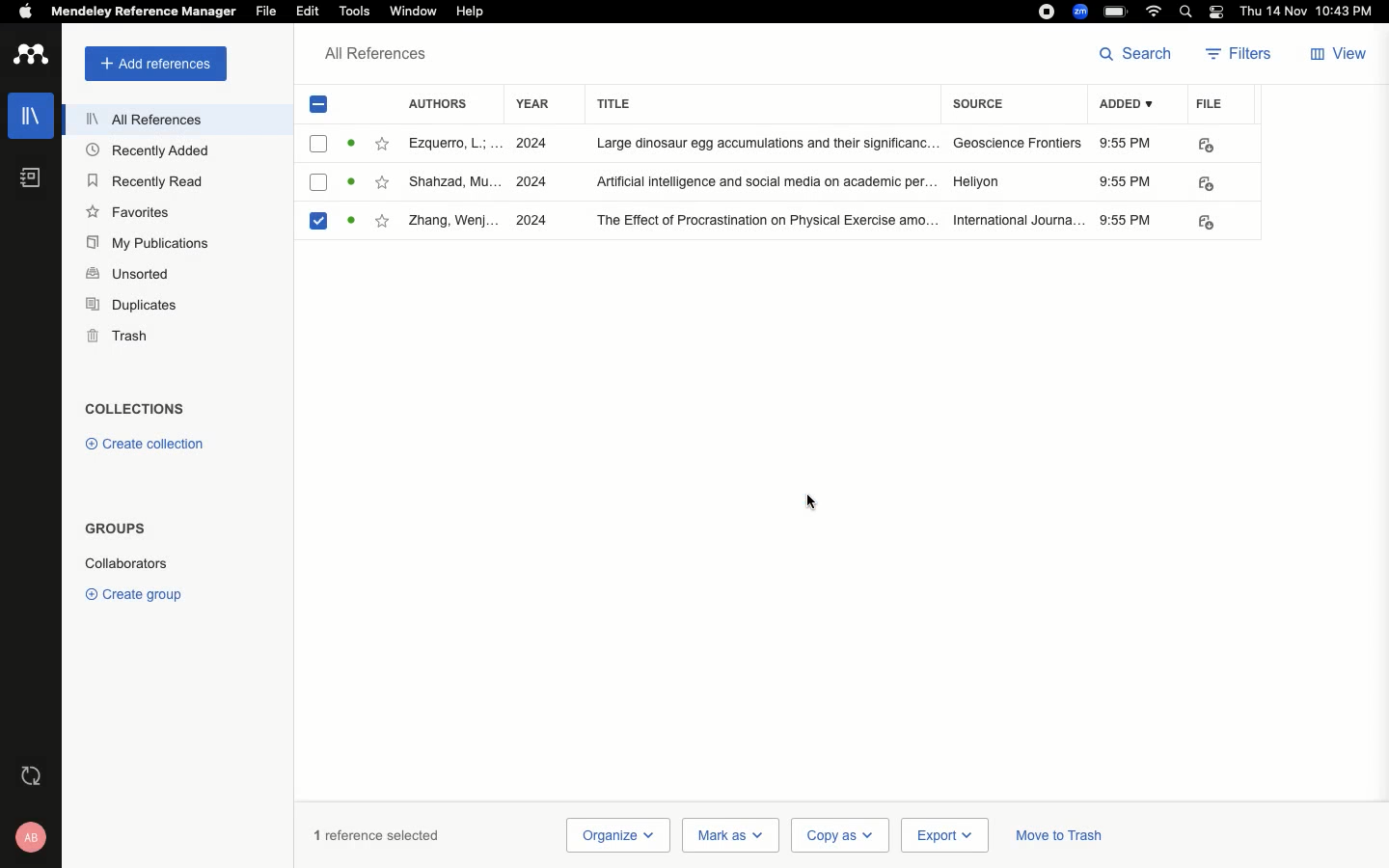 The height and width of the screenshot is (868, 1389). What do you see at coordinates (984, 106) in the screenshot?
I see `Source` at bounding box center [984, 106].